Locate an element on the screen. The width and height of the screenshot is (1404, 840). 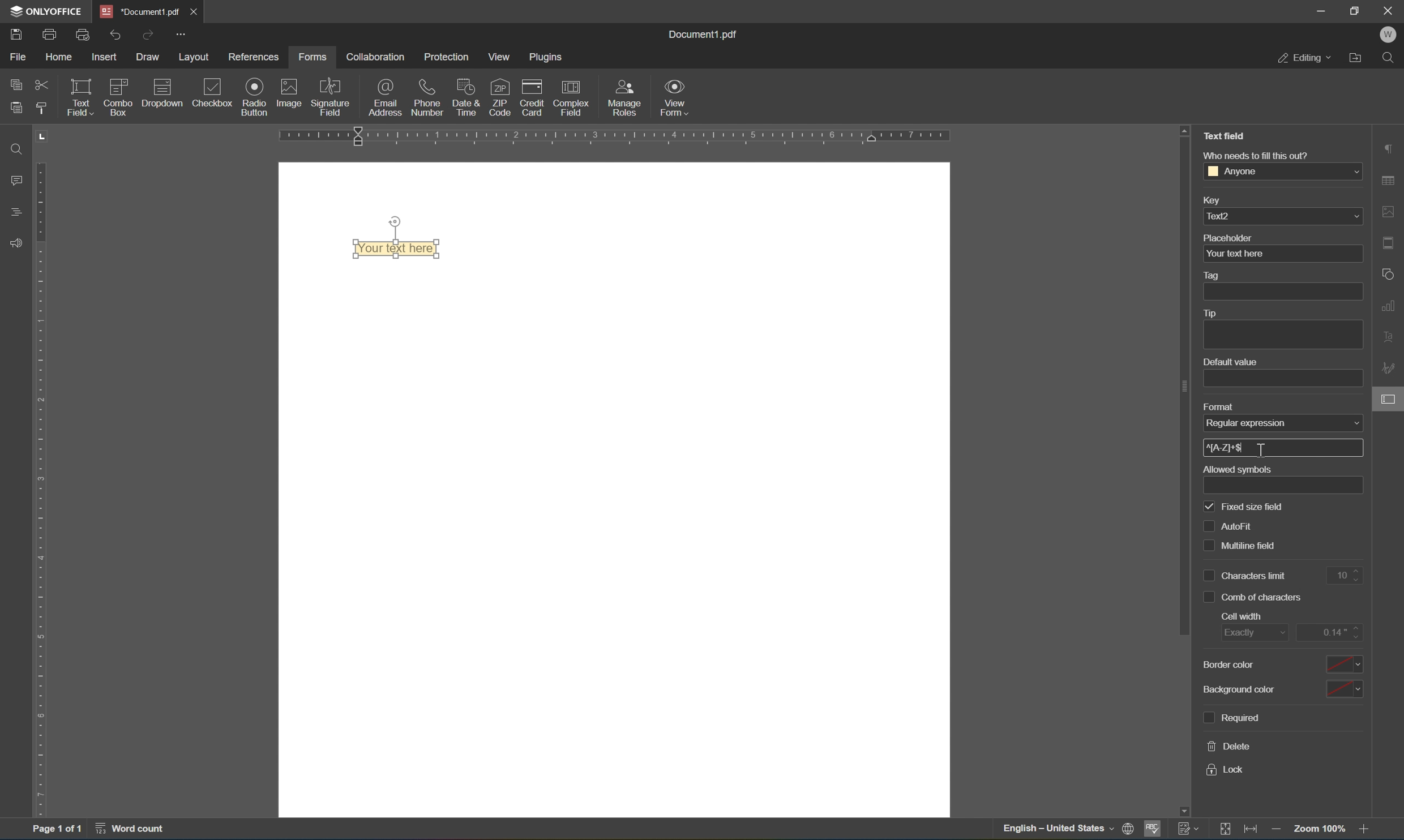
combo box is located at coordinates (118, 98).